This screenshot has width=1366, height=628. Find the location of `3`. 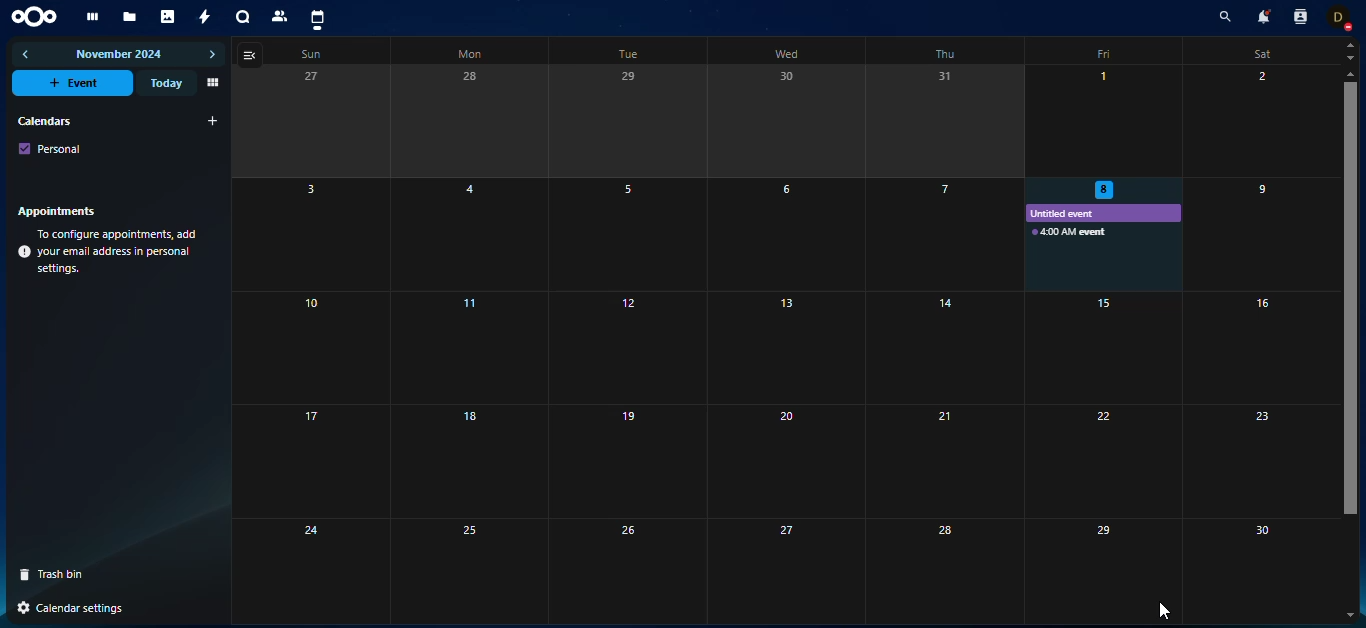

3 is located at coordinates (285, 235).